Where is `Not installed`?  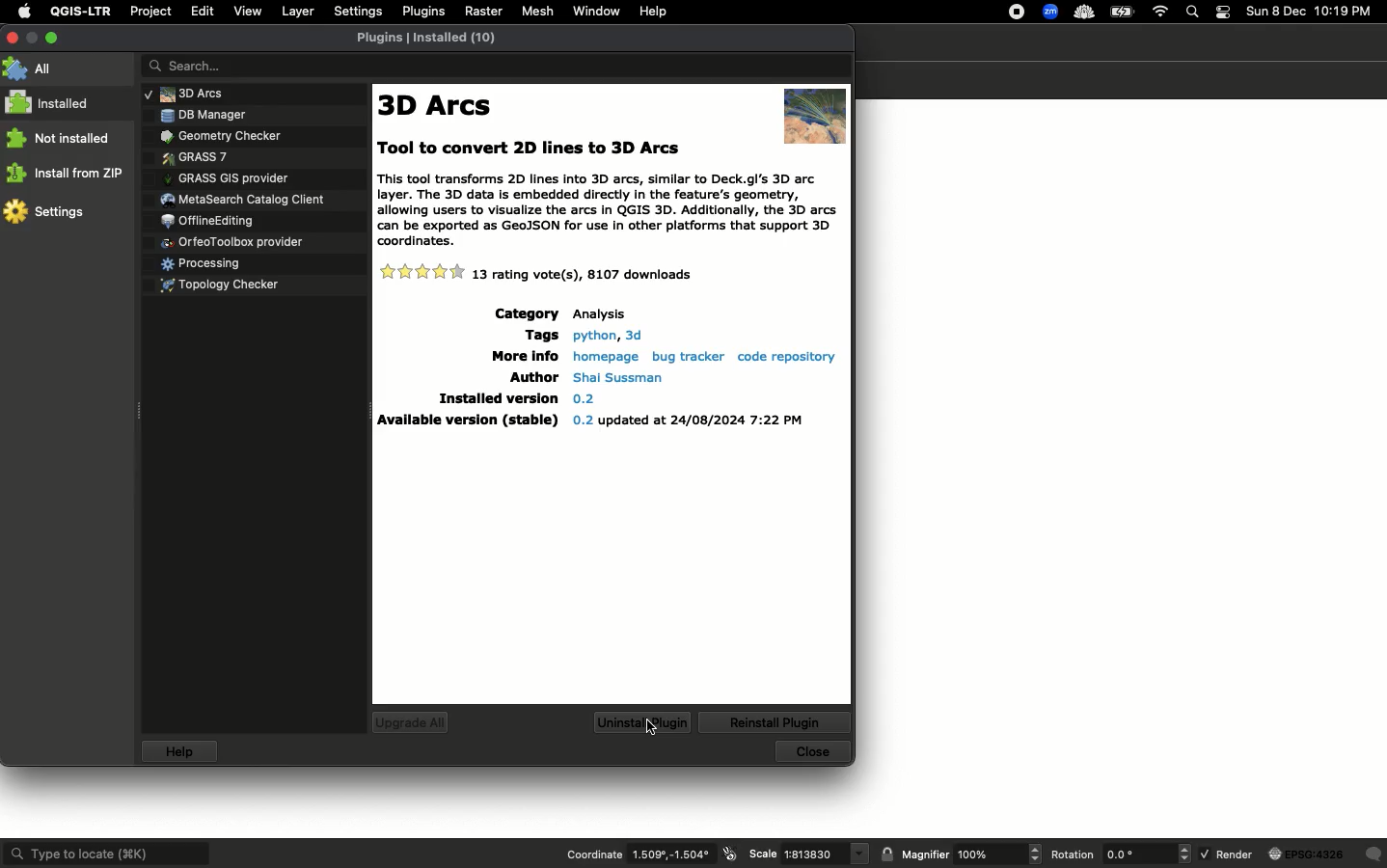
Not installed is located at coordinates (60, 139).